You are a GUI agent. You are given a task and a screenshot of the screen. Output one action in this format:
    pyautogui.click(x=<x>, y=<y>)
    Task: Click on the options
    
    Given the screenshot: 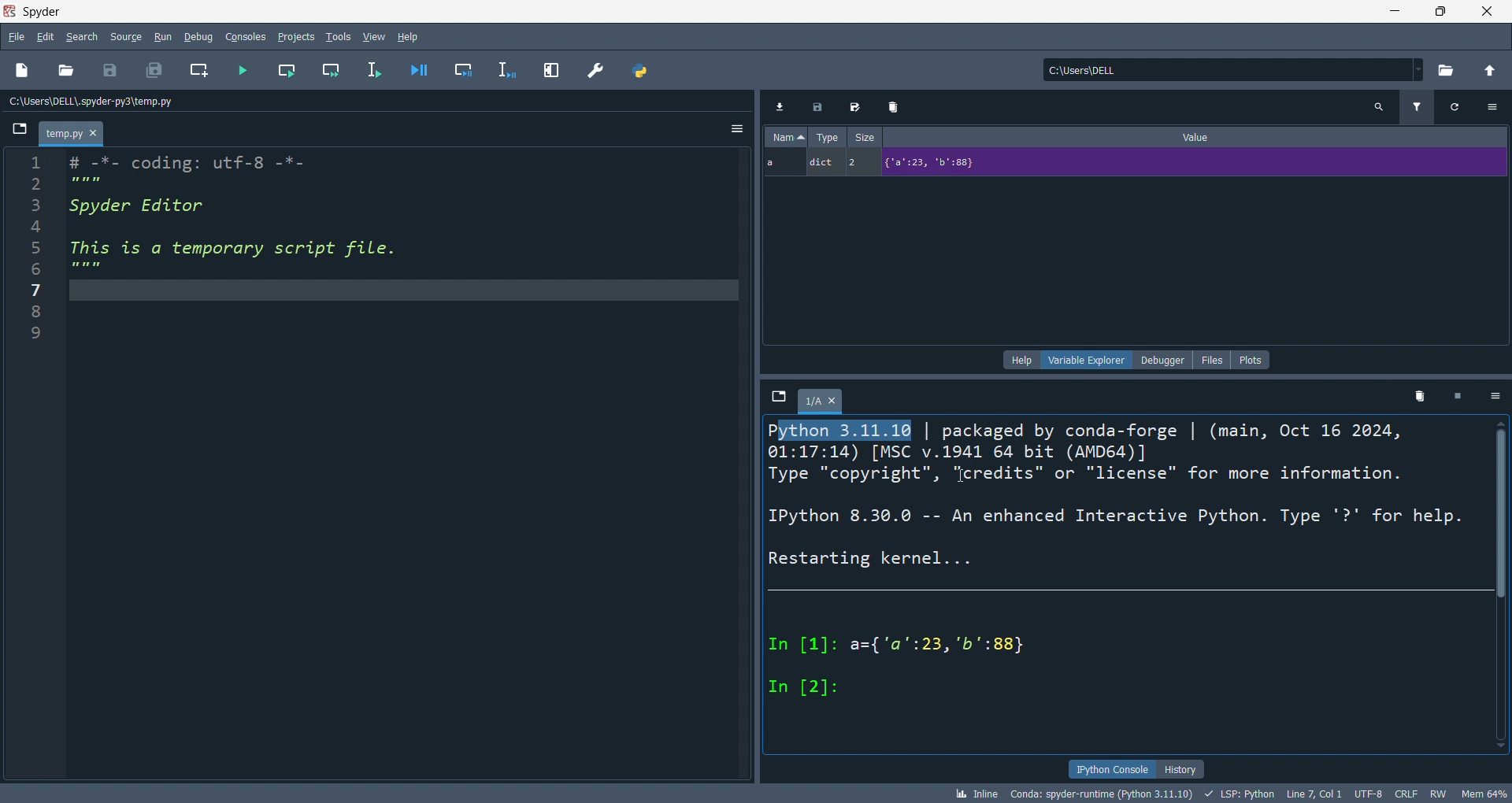 What is the action you would take?
    pyautogui.click(x=737, y=130)
    